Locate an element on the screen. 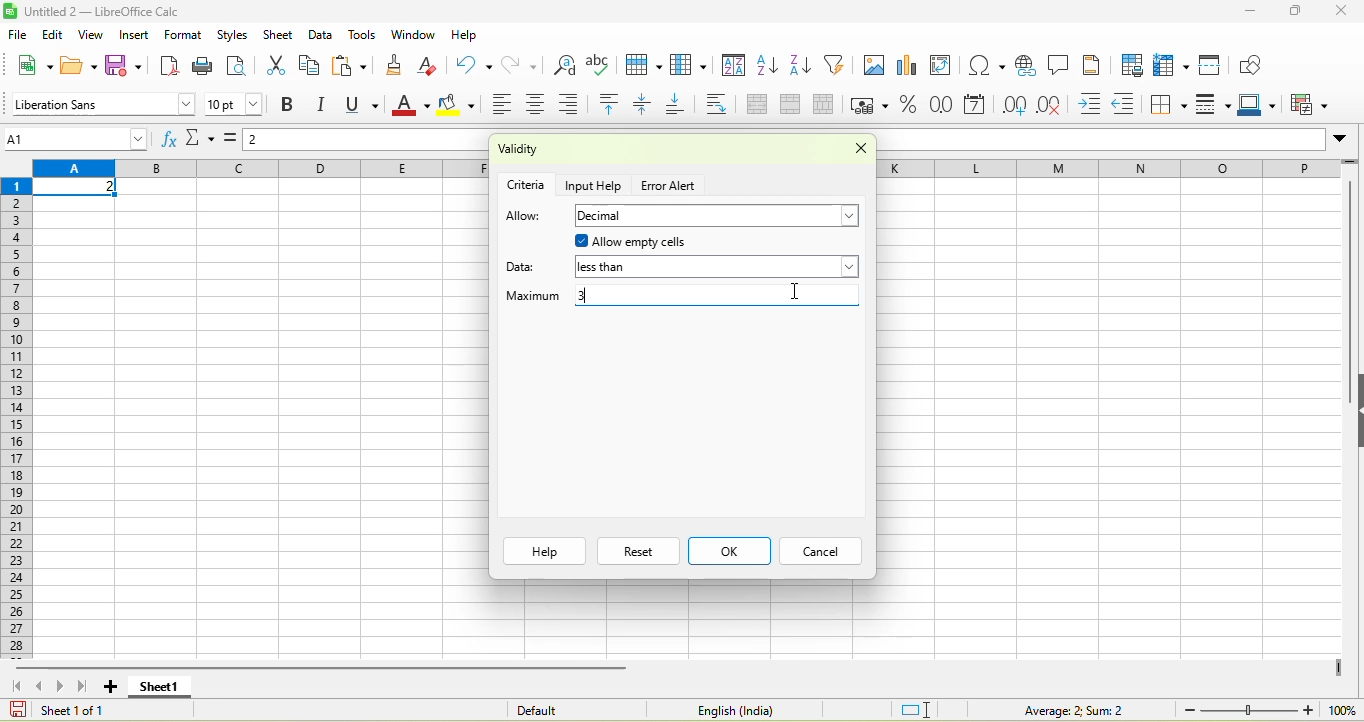  redo is located at coordinates (526, 64).